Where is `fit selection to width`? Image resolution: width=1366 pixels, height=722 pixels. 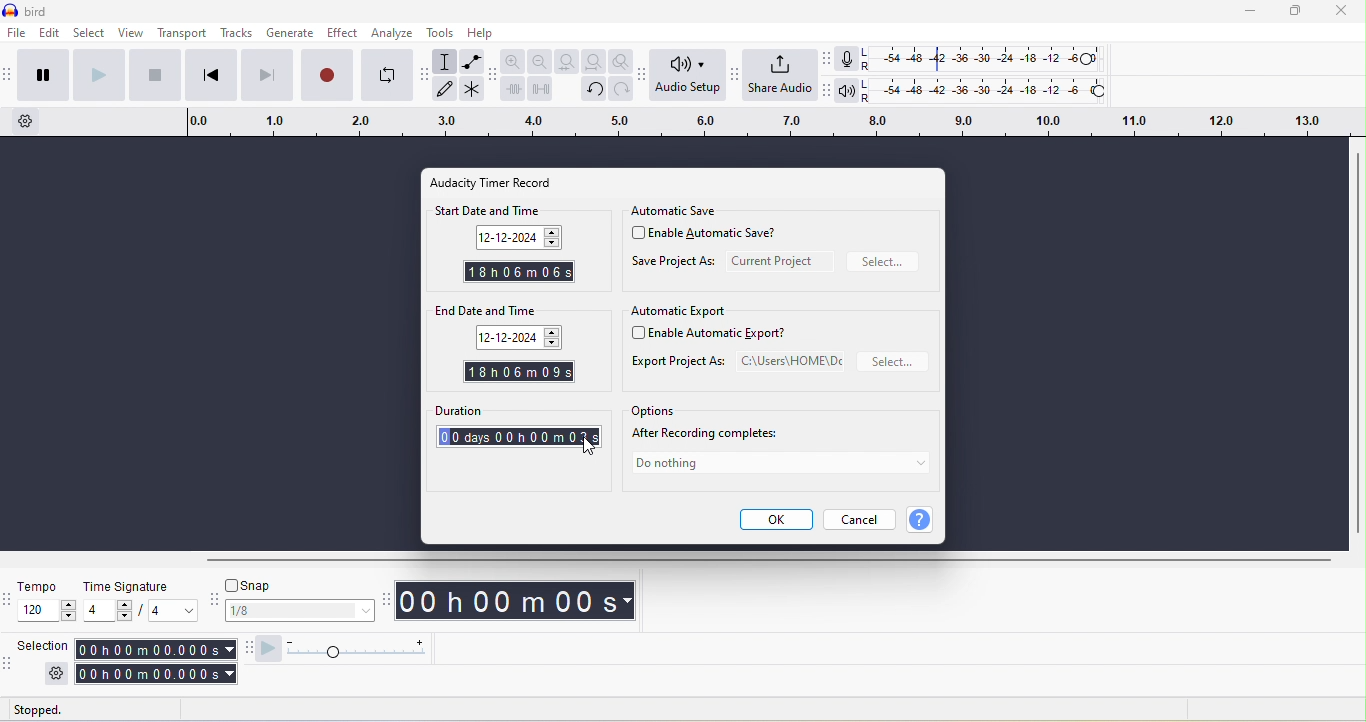 fit selection to width is located at coordinates (564, 60).